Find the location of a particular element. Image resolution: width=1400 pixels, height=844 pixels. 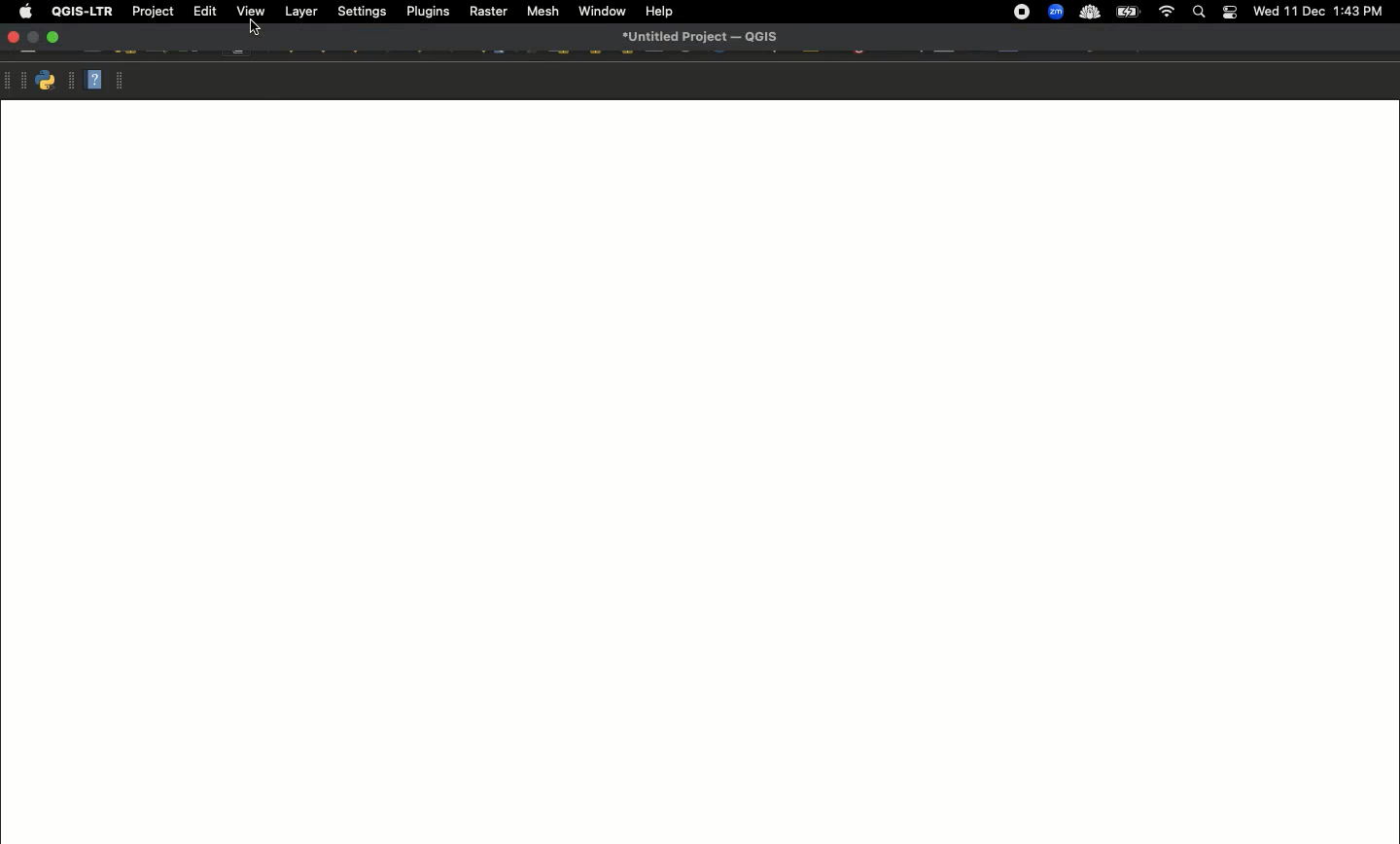

Project is located at coordinates (153, 13).